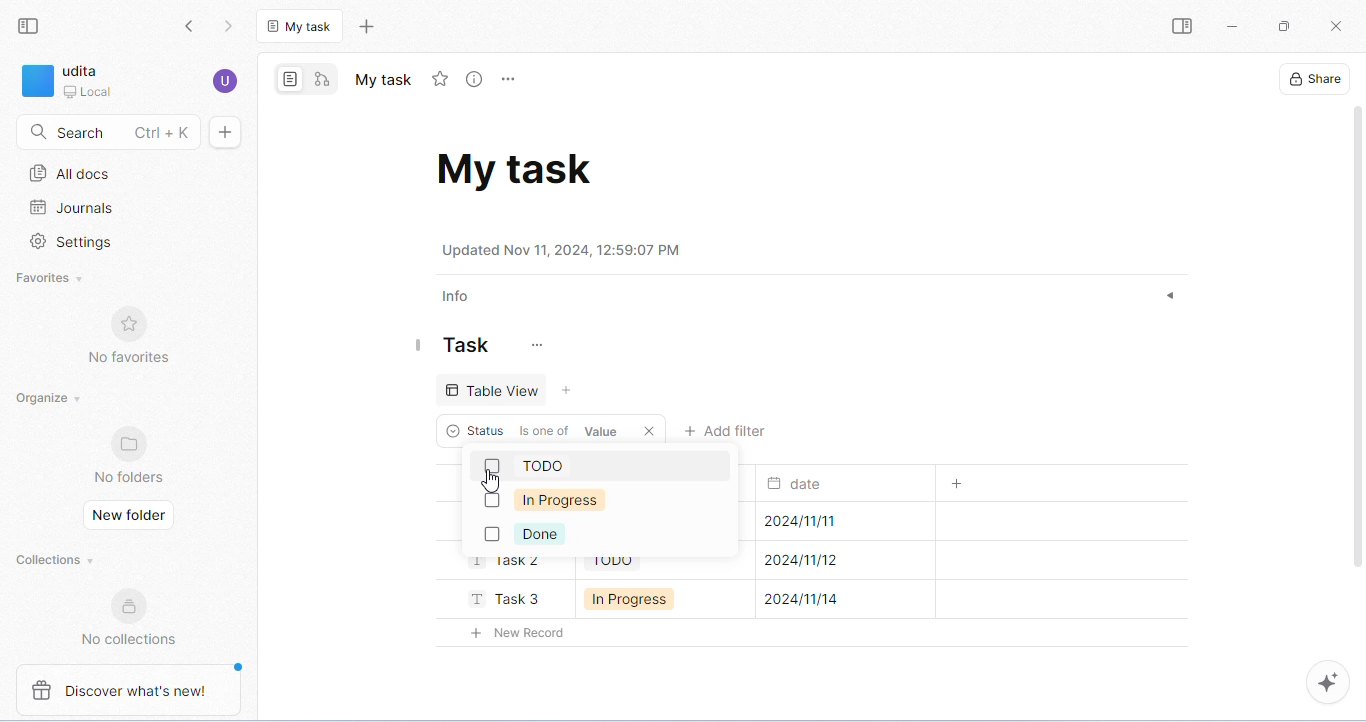 Image resolution: width=1366 pixels, height=722 pixels. What do you see at coordinates (628, 599) in the screenshot?
I see `in progress` at bounding box center [628, 599].